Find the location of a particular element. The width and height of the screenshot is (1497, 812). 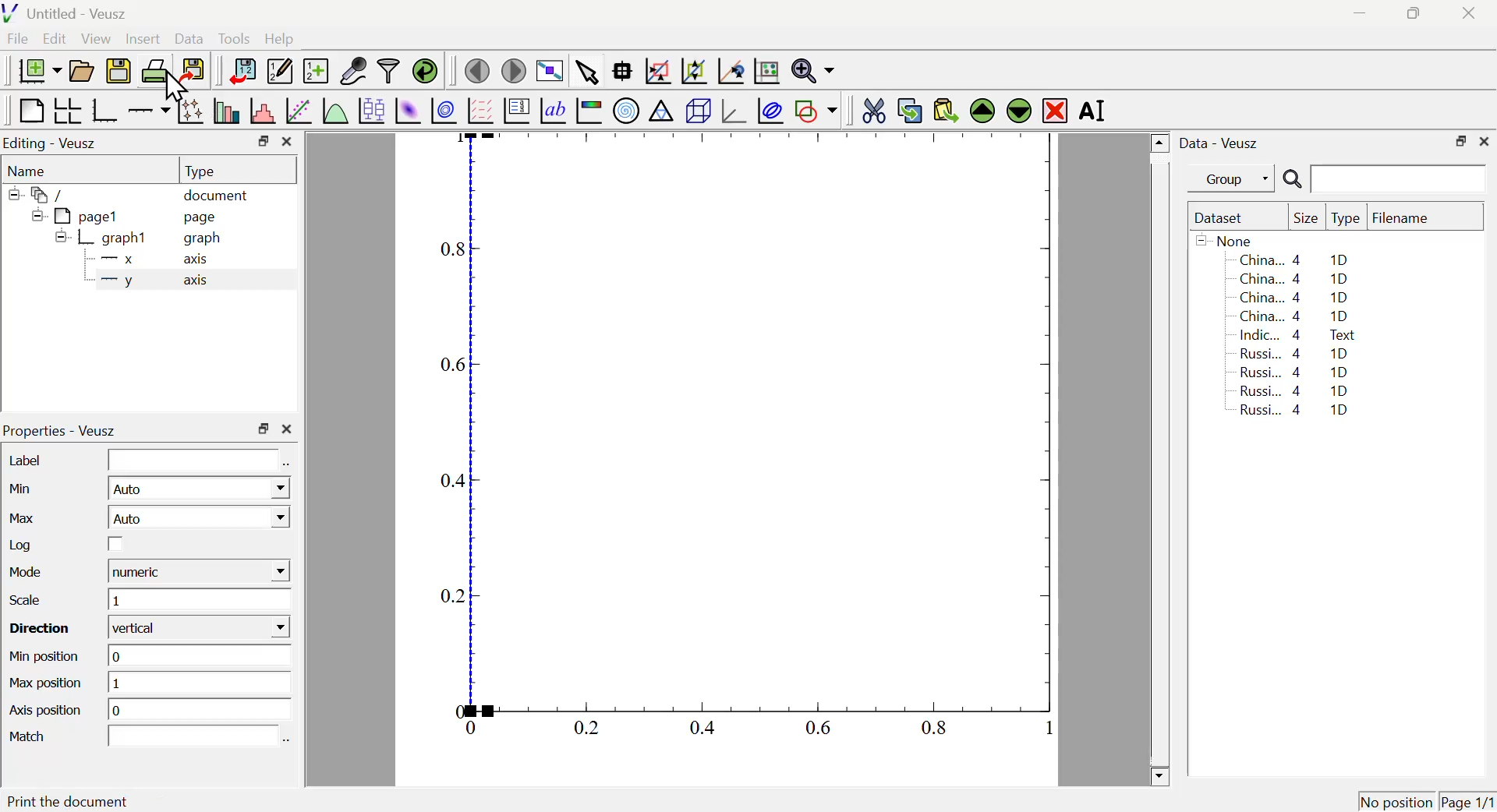

Plot Key is located at coordinates (515, 110).